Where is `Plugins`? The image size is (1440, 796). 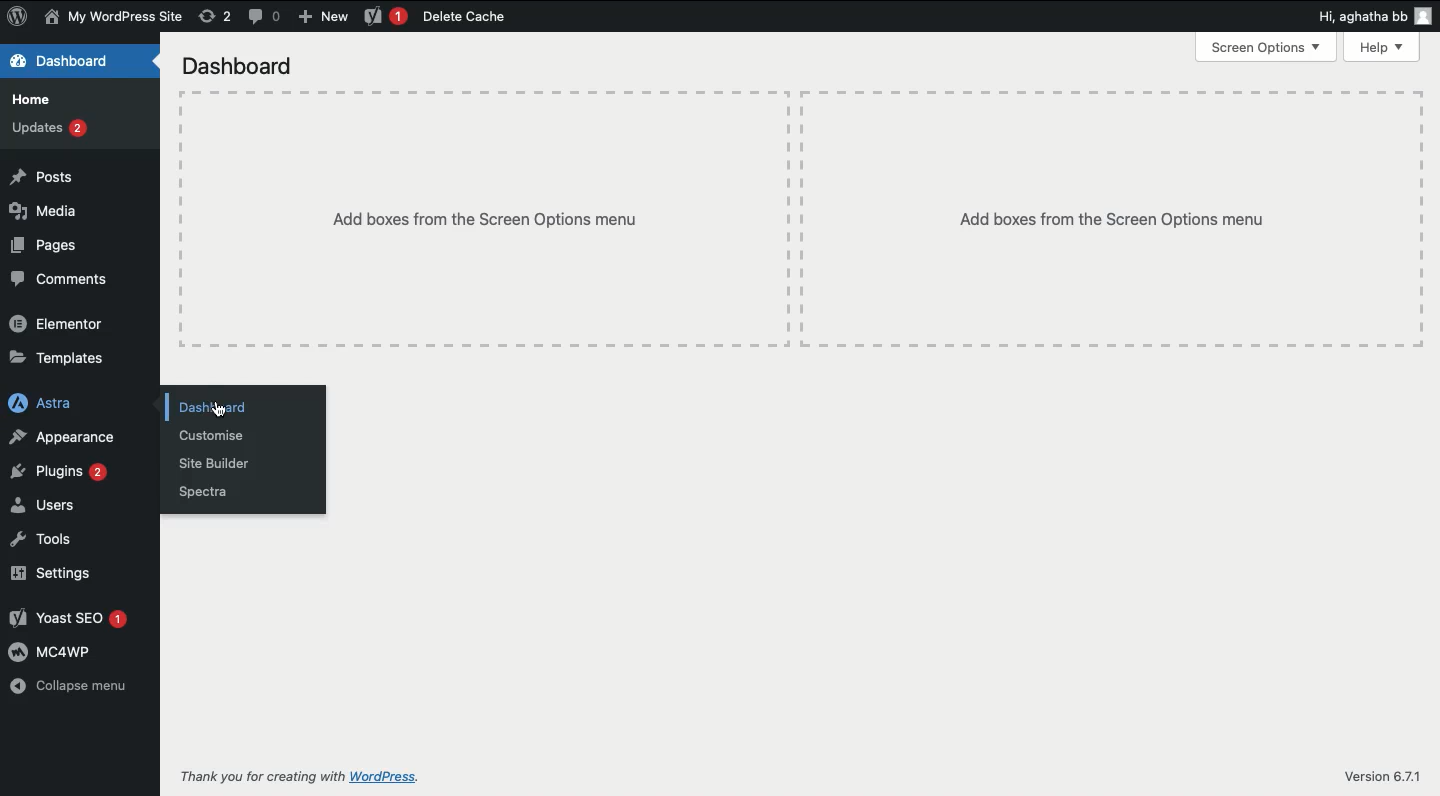 Plugins is located at coordinates (58, 471).